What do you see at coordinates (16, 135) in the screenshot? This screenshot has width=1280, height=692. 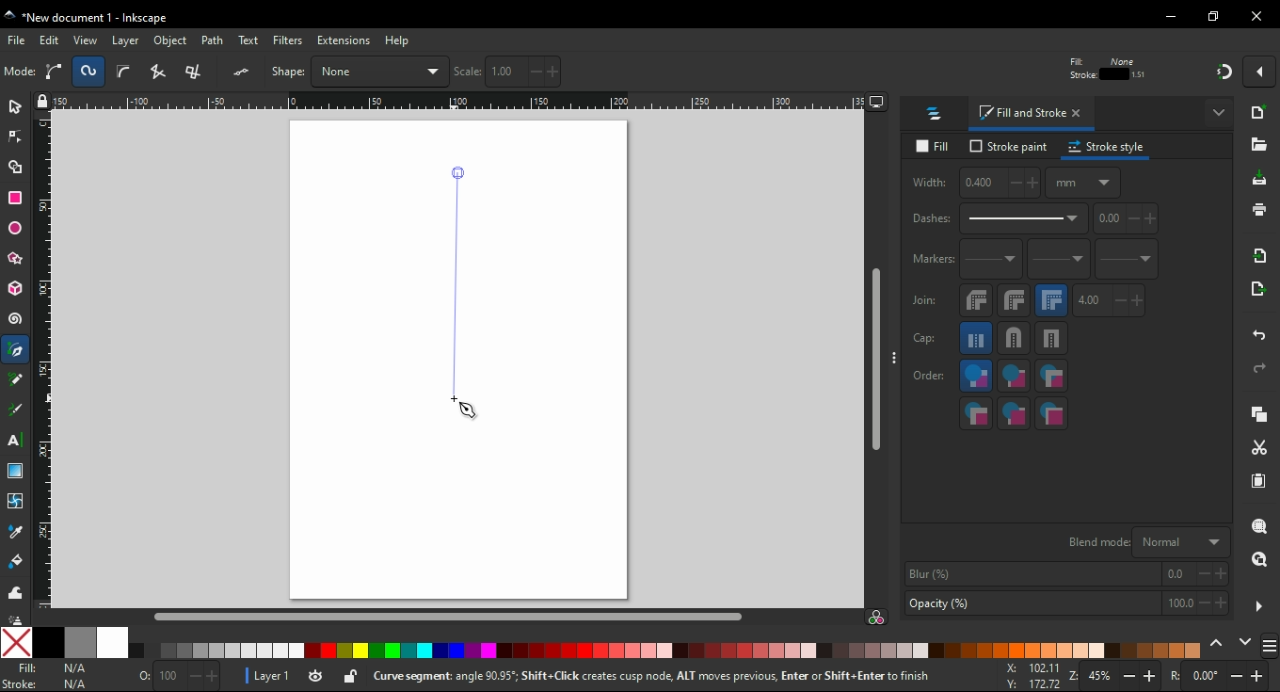 I see `node tool` at bounding box center [16, 135].